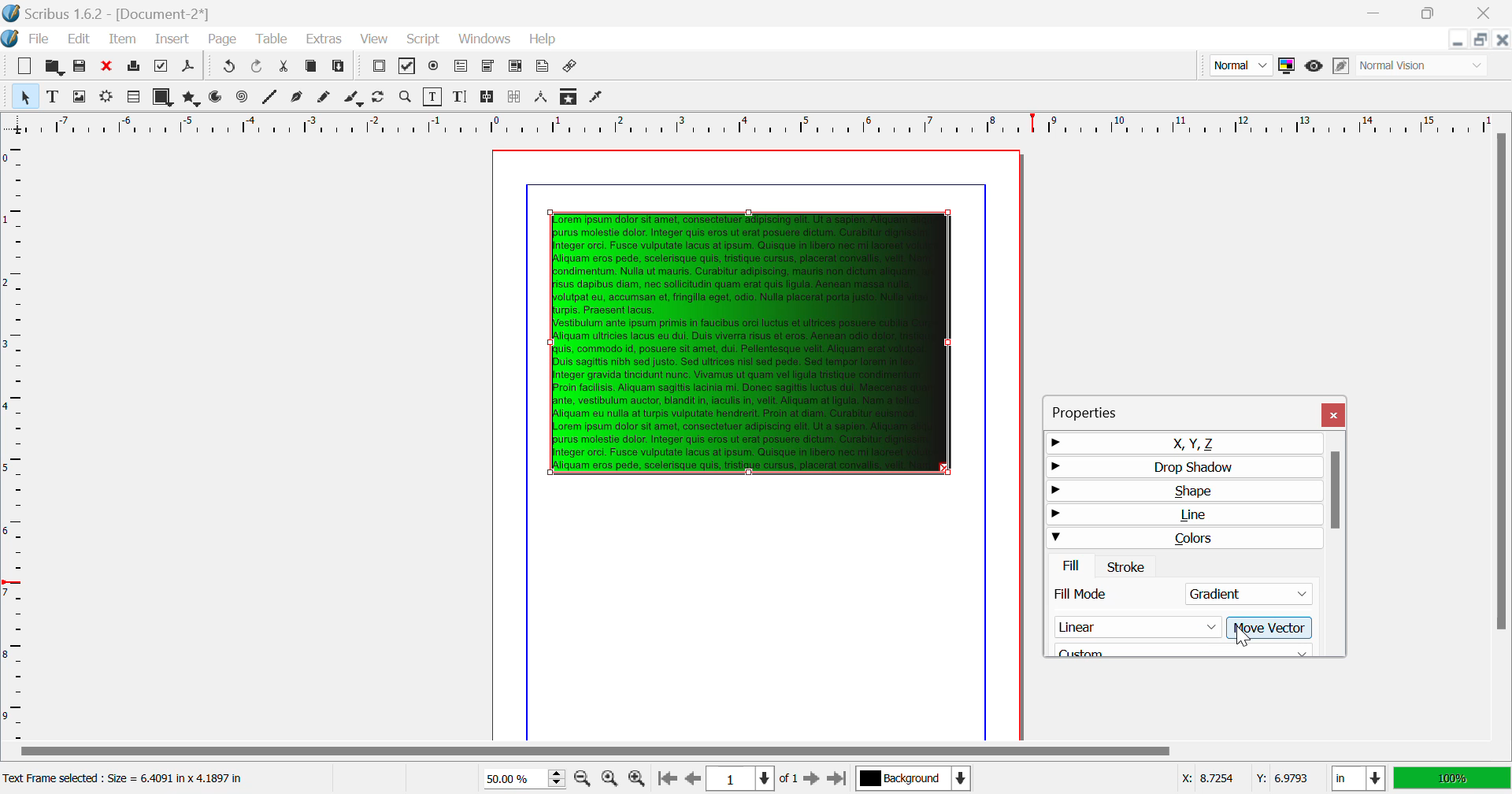  What do you see at coordinates (544, 39) in the screenshot?
I see `Help` at bounding box center [544, 39].